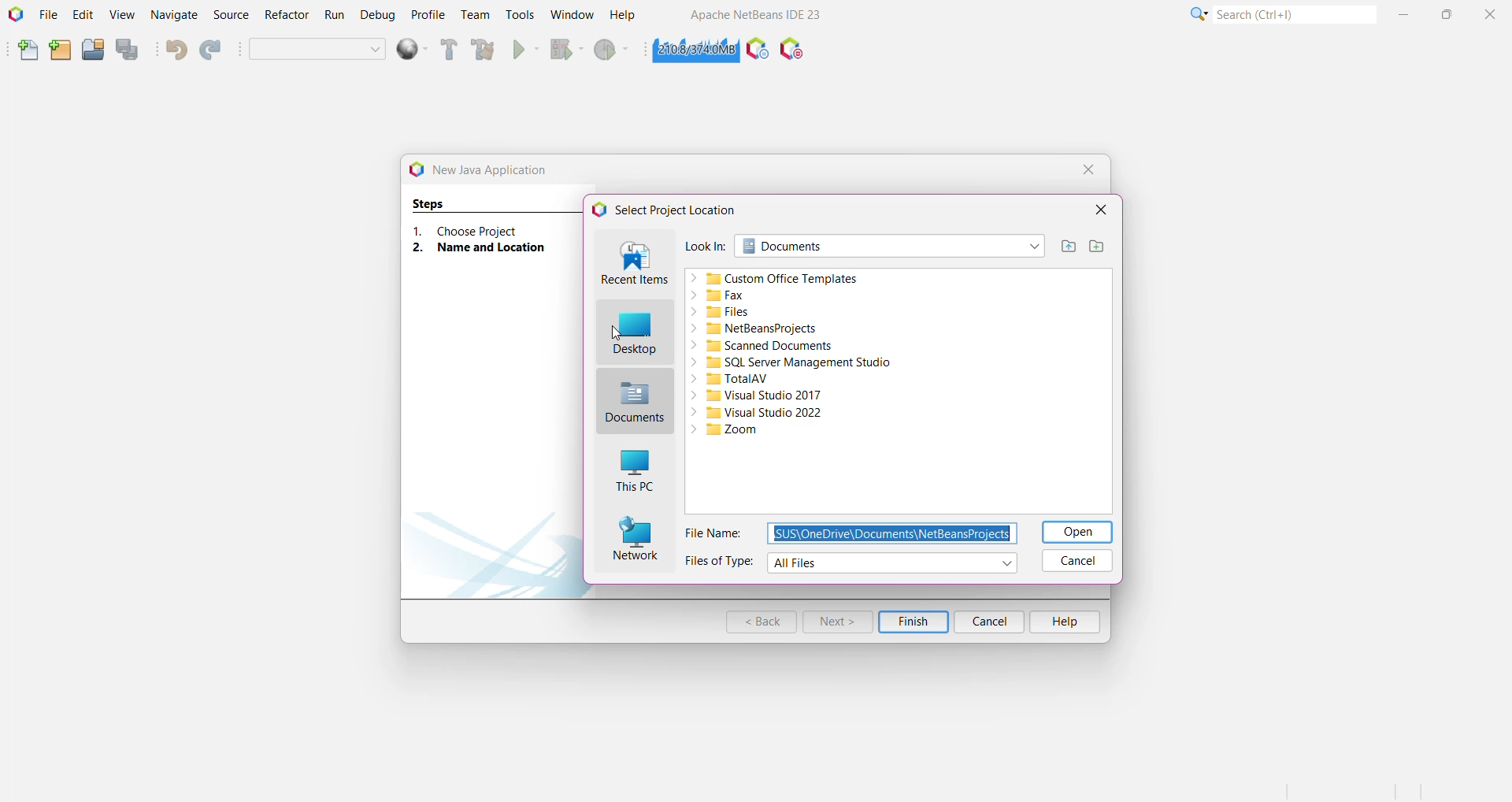 Image resolution: width=1512 pixels, height=802 pixels. I want to click on File, so click(49, 16).